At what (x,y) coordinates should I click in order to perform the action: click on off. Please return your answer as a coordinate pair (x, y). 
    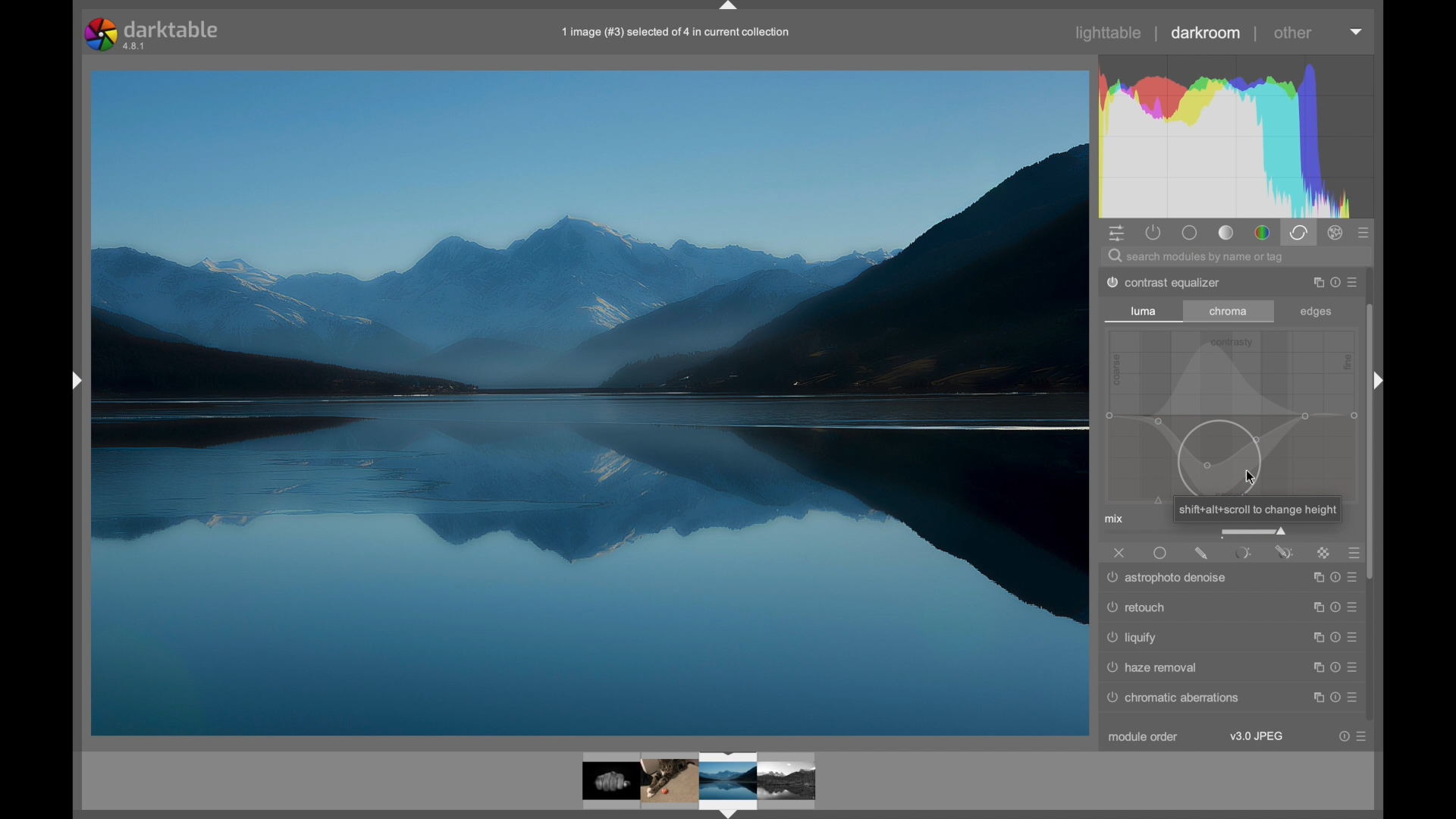
    Looking at the image, I should click on (1119, 553).